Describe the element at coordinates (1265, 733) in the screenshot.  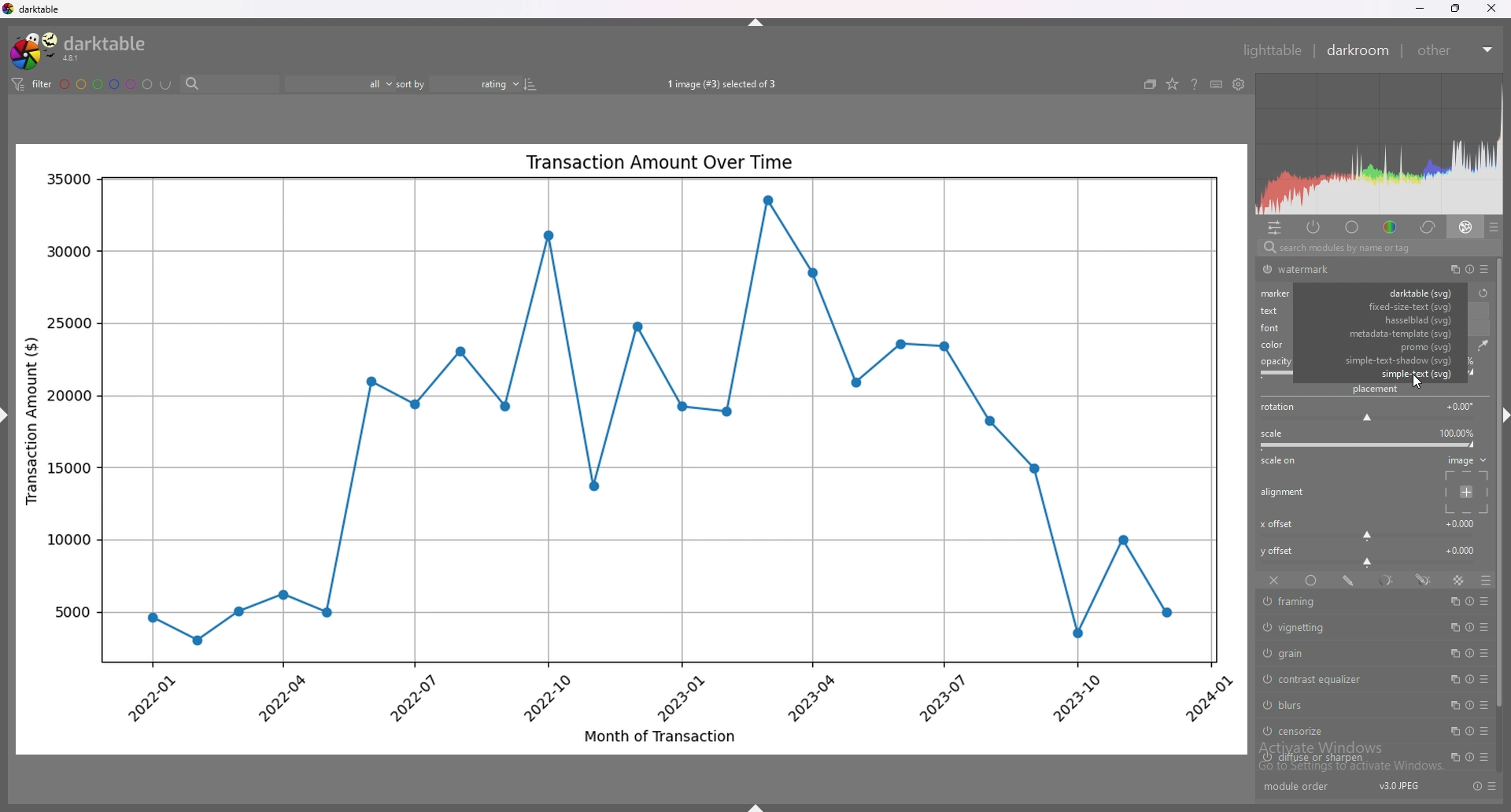
I see `switch off` at that location.